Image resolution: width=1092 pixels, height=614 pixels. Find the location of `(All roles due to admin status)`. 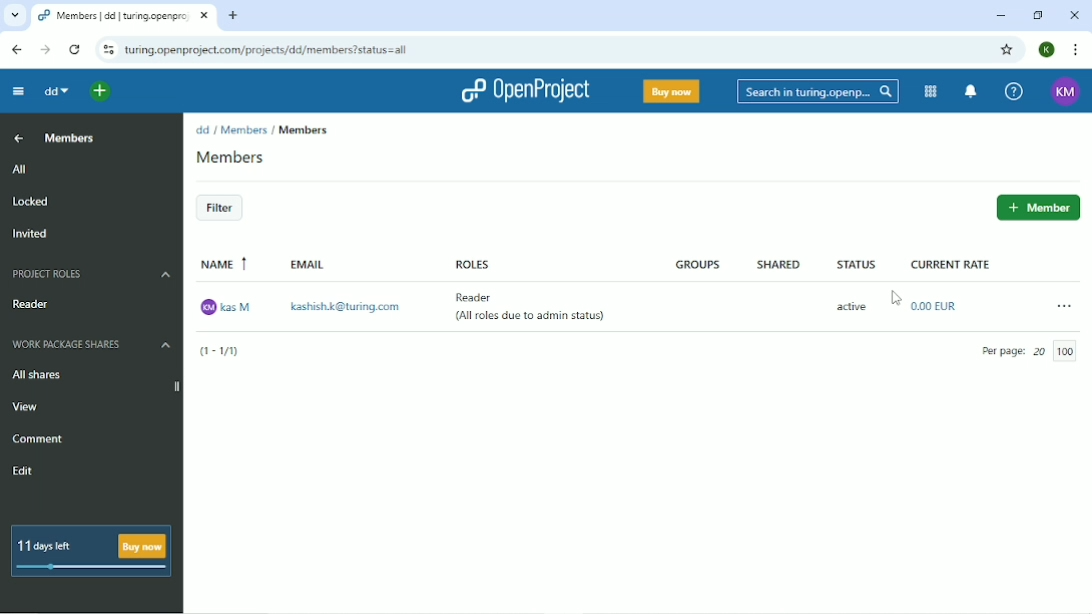

(All roles due to admin status) is located at coordinates (531, 319).